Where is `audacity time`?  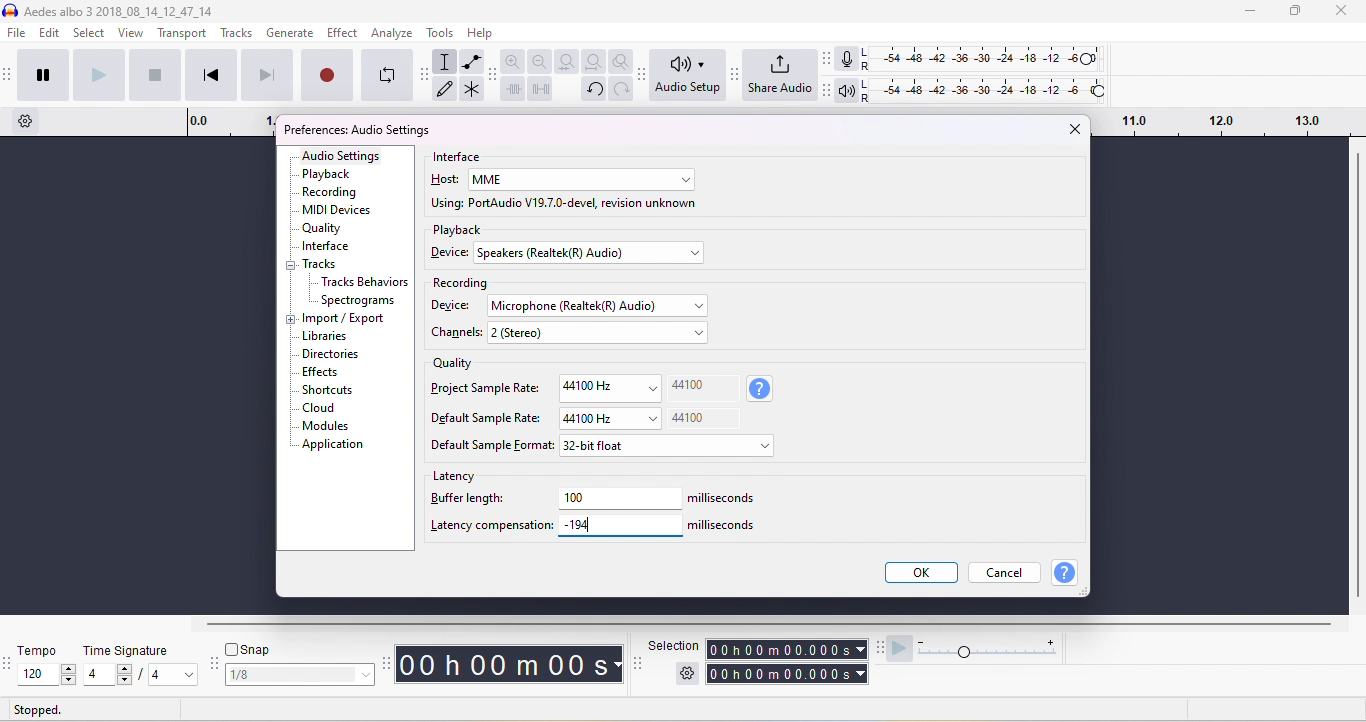
audacity time is located at coordinates (511, 665).